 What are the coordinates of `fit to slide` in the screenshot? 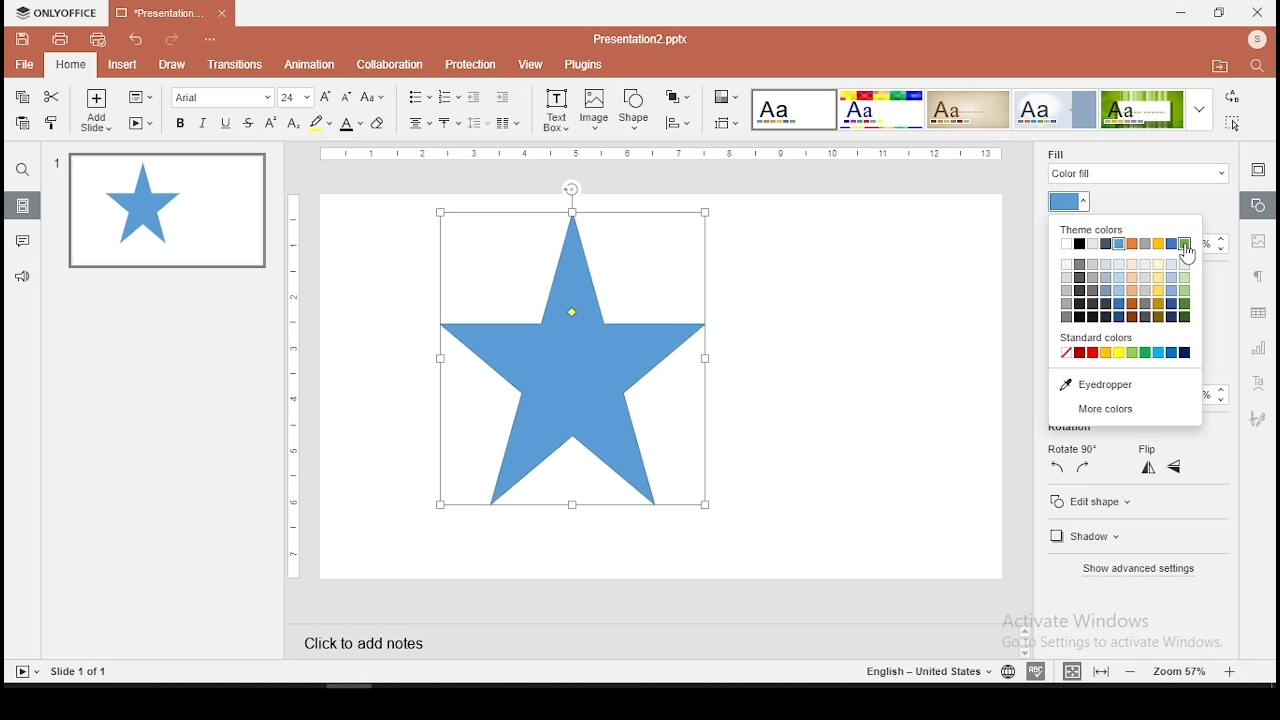 It's located at (1101, 671).